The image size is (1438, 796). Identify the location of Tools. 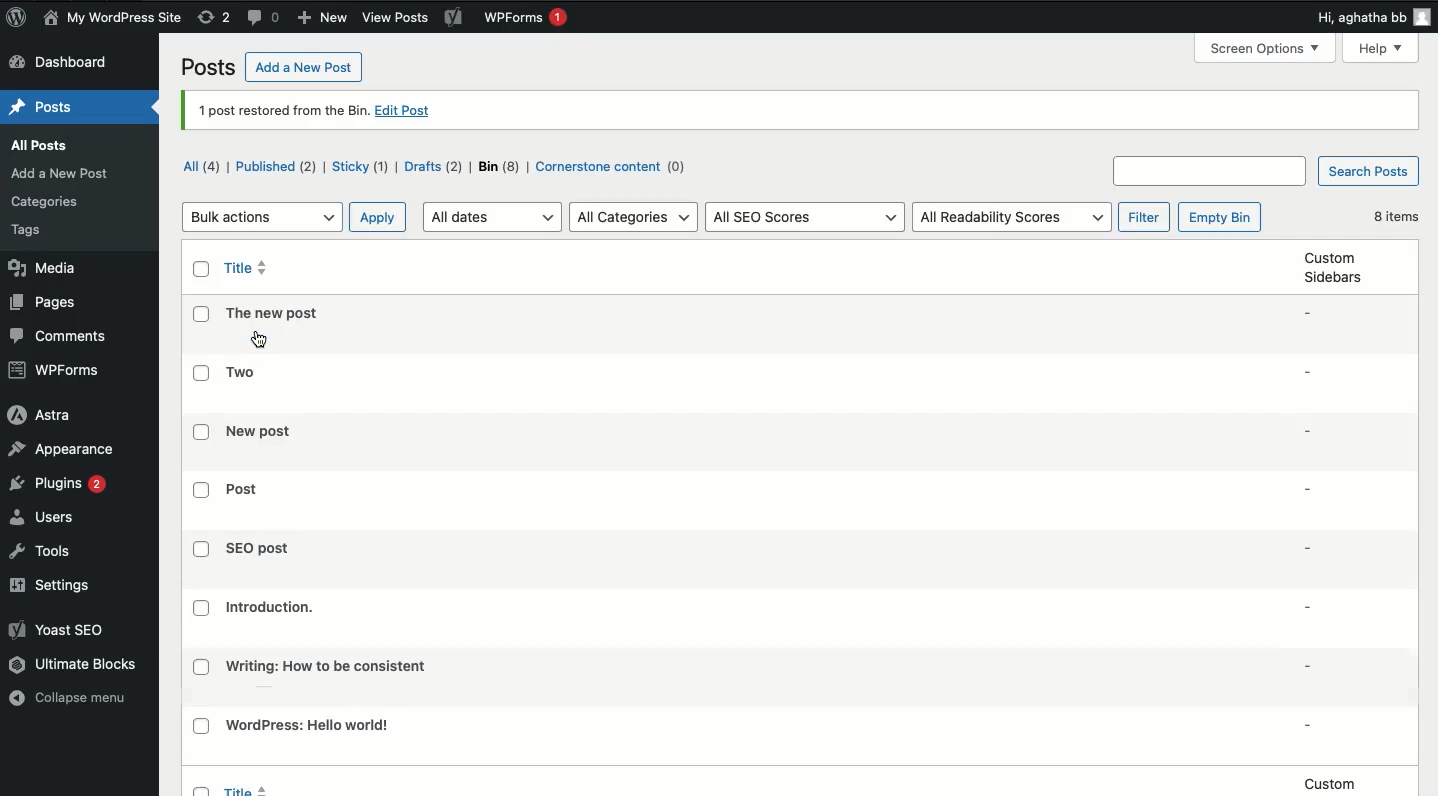
(40, 551).